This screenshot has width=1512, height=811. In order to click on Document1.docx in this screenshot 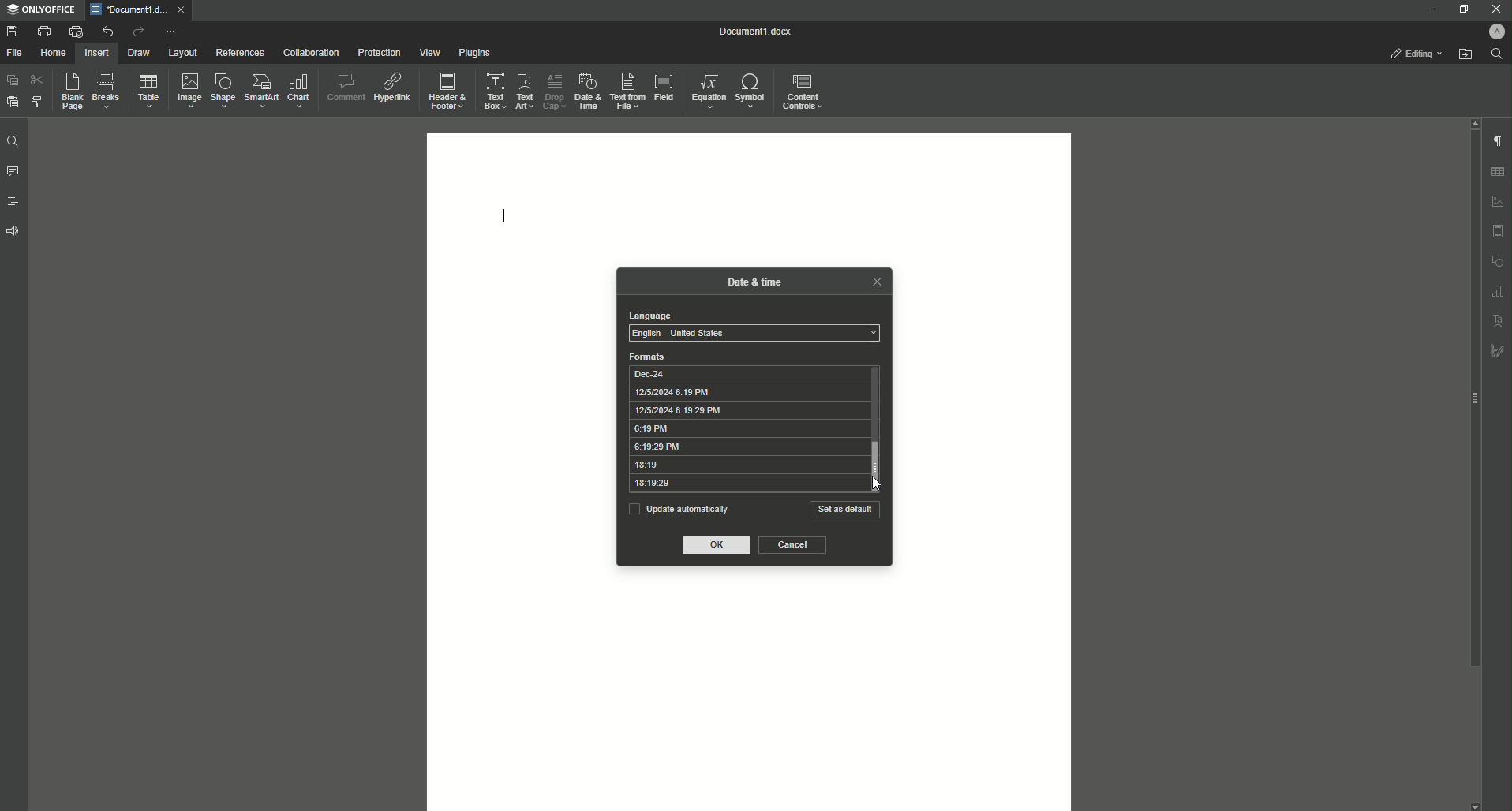, I will do `click(757, 32)`.